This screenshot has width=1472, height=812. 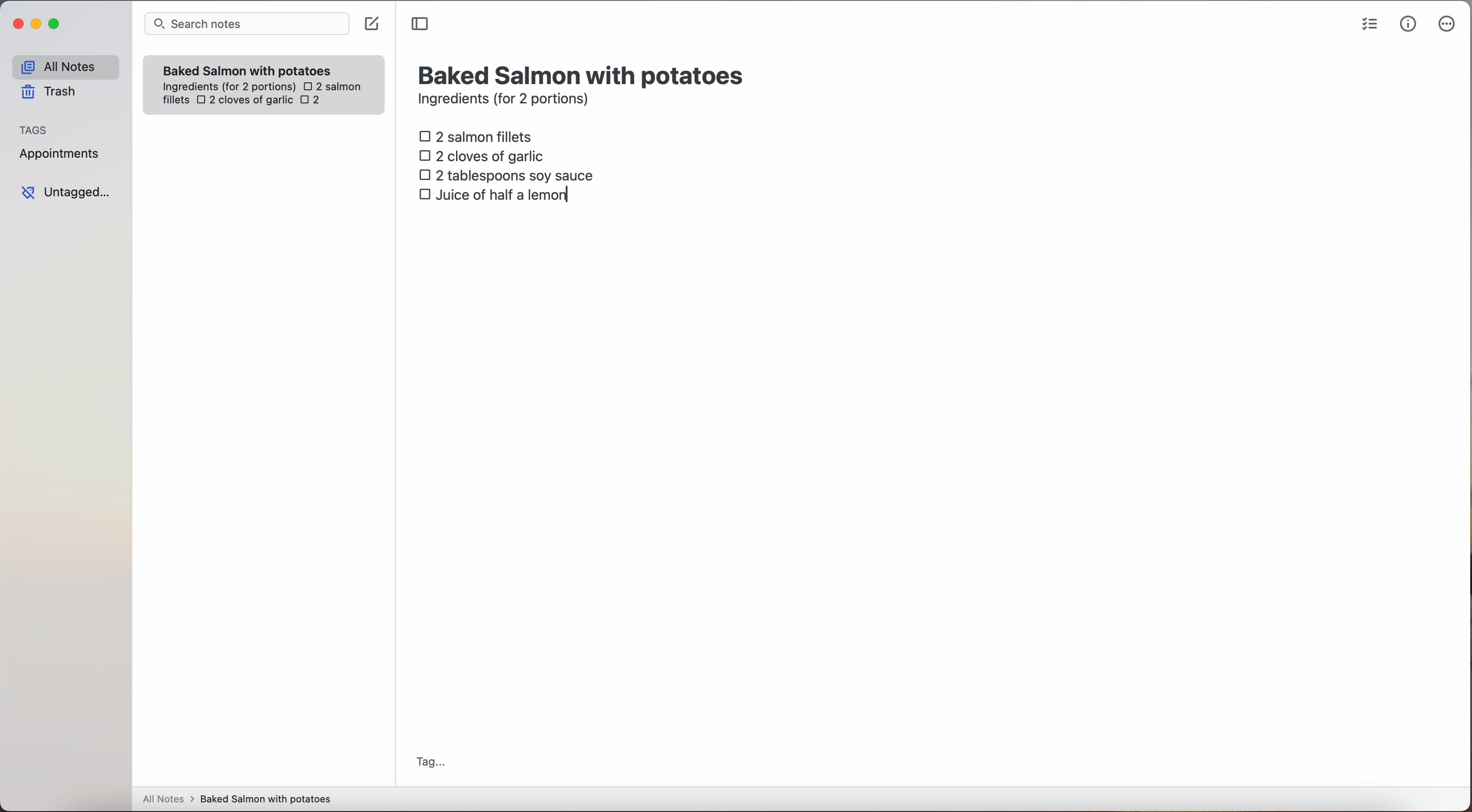 What do you see at coordinates (245, 101) in the screenshot?
I see `2 cloves of garlic` at bounding box center [245, 101].